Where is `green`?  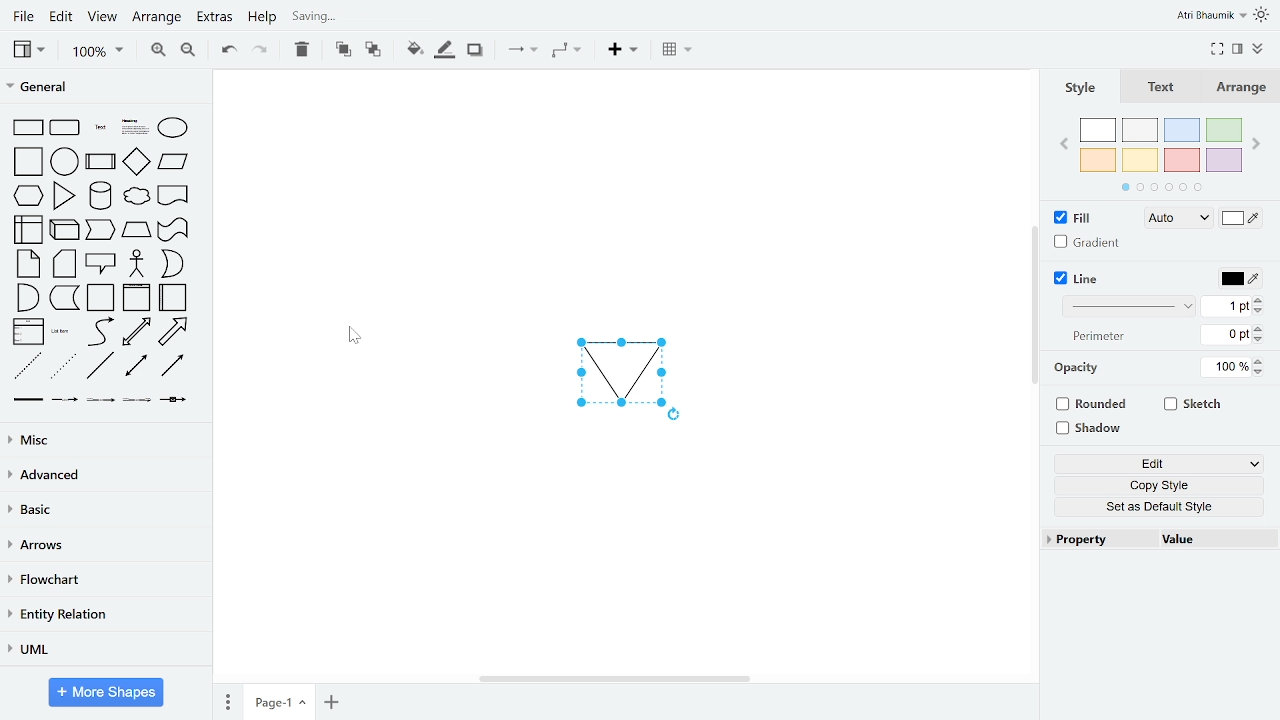 green is located at coordinates (1226, 129).